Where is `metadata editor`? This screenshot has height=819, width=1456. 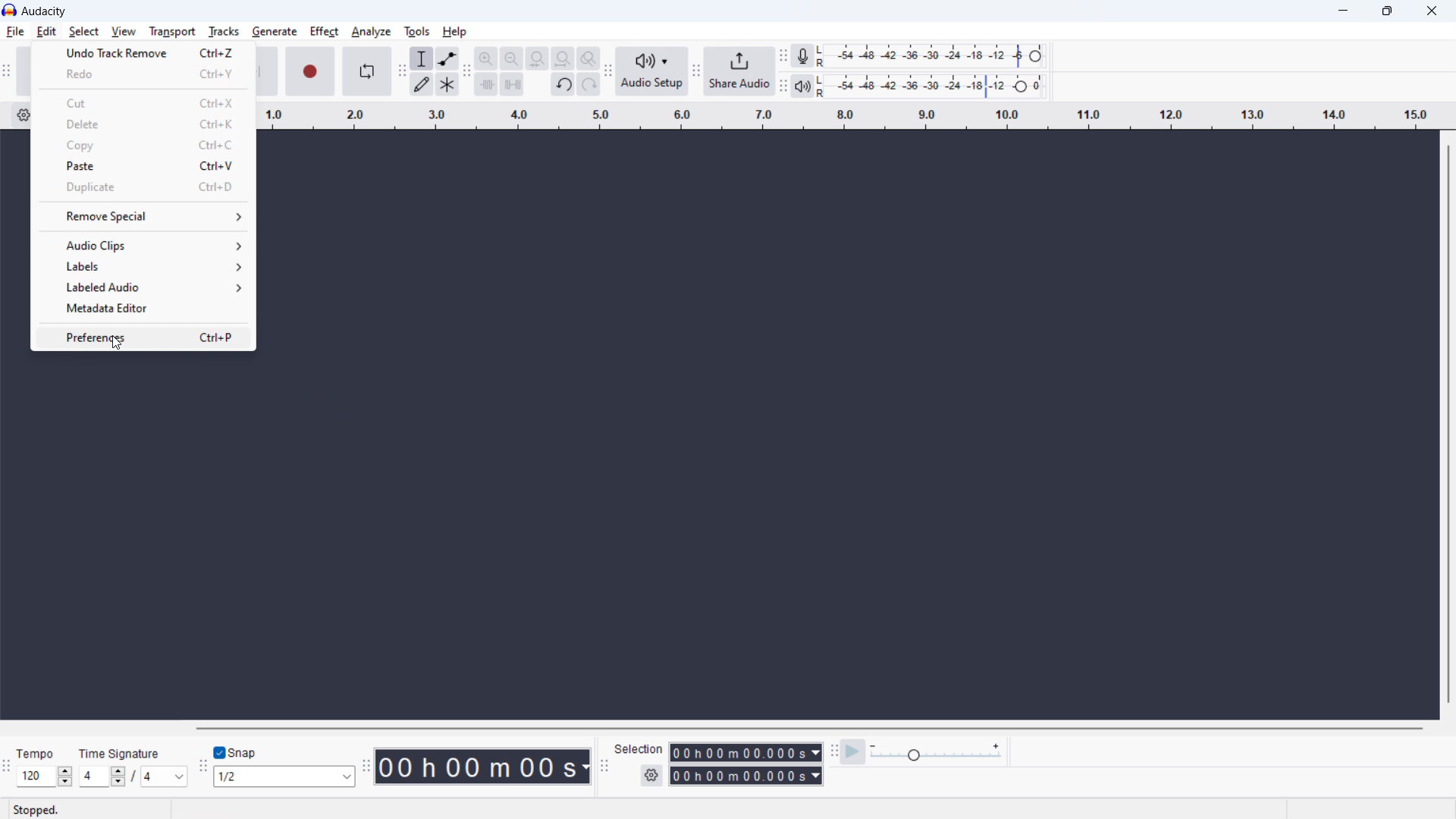
metadata editor is located at coordinates (143, 308).